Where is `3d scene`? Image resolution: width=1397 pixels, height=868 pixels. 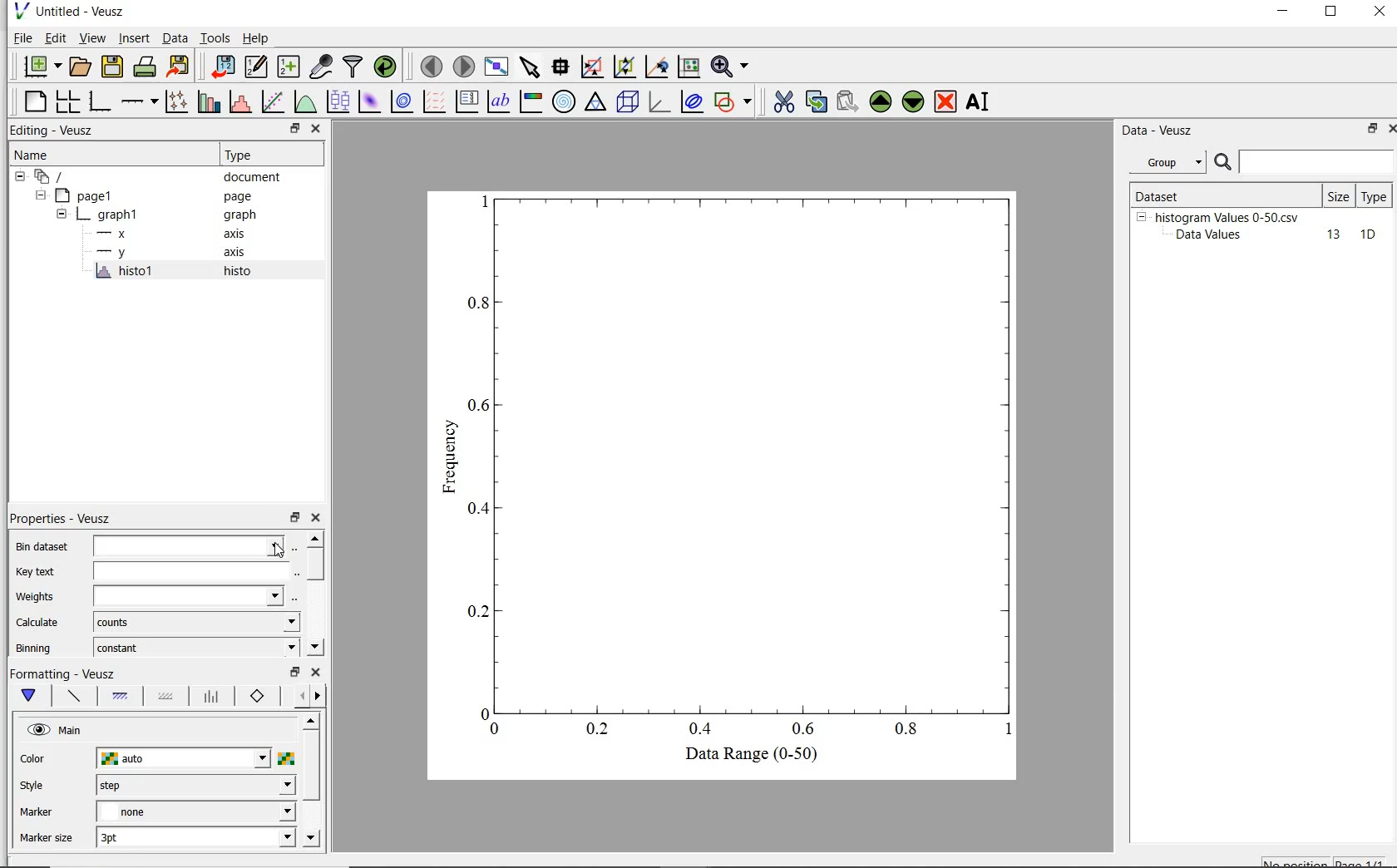
3d scene is located at coordinates (628, 103).